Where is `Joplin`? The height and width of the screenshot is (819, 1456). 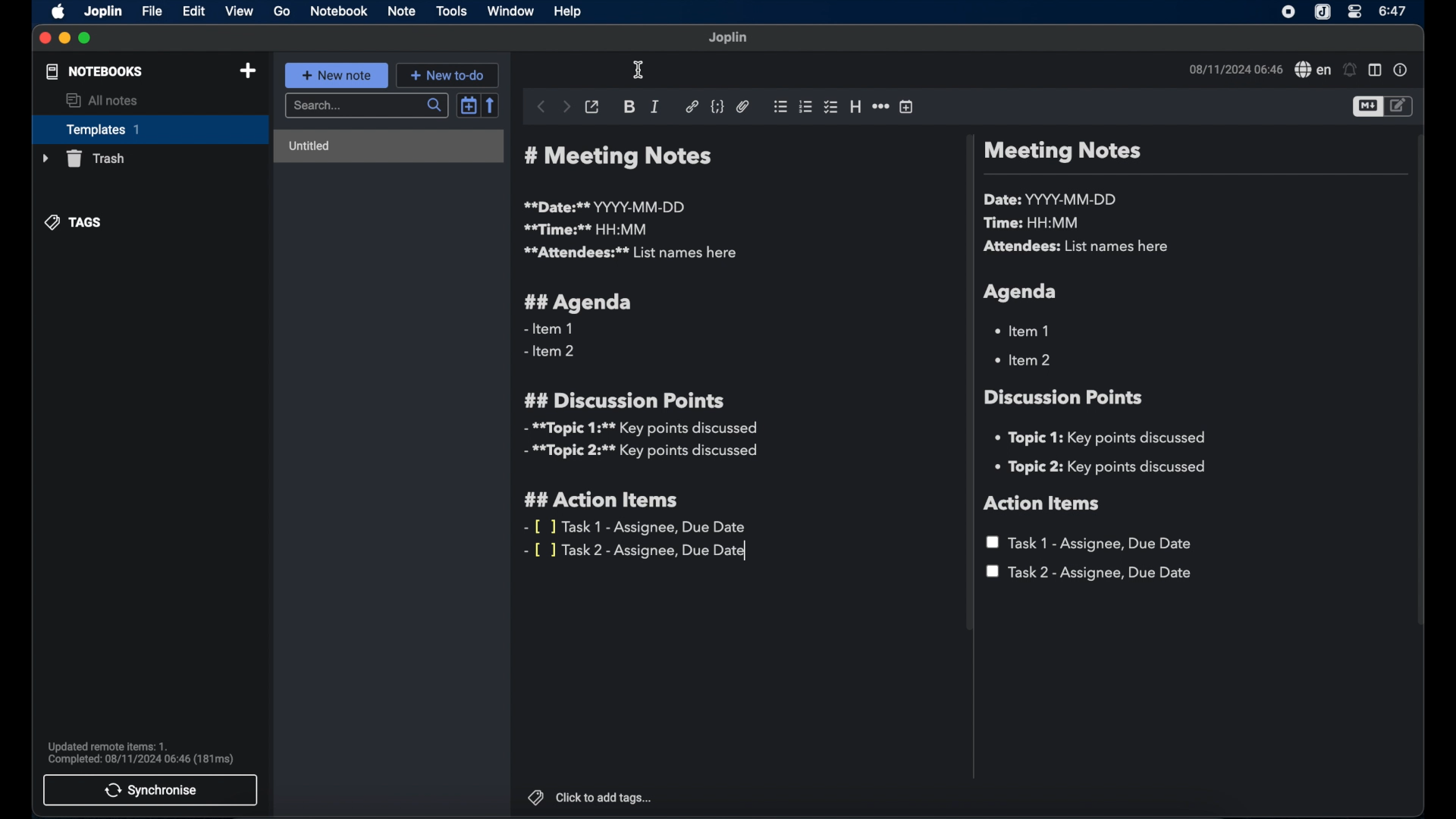
Joplin is located at coordinates (1322, 12).